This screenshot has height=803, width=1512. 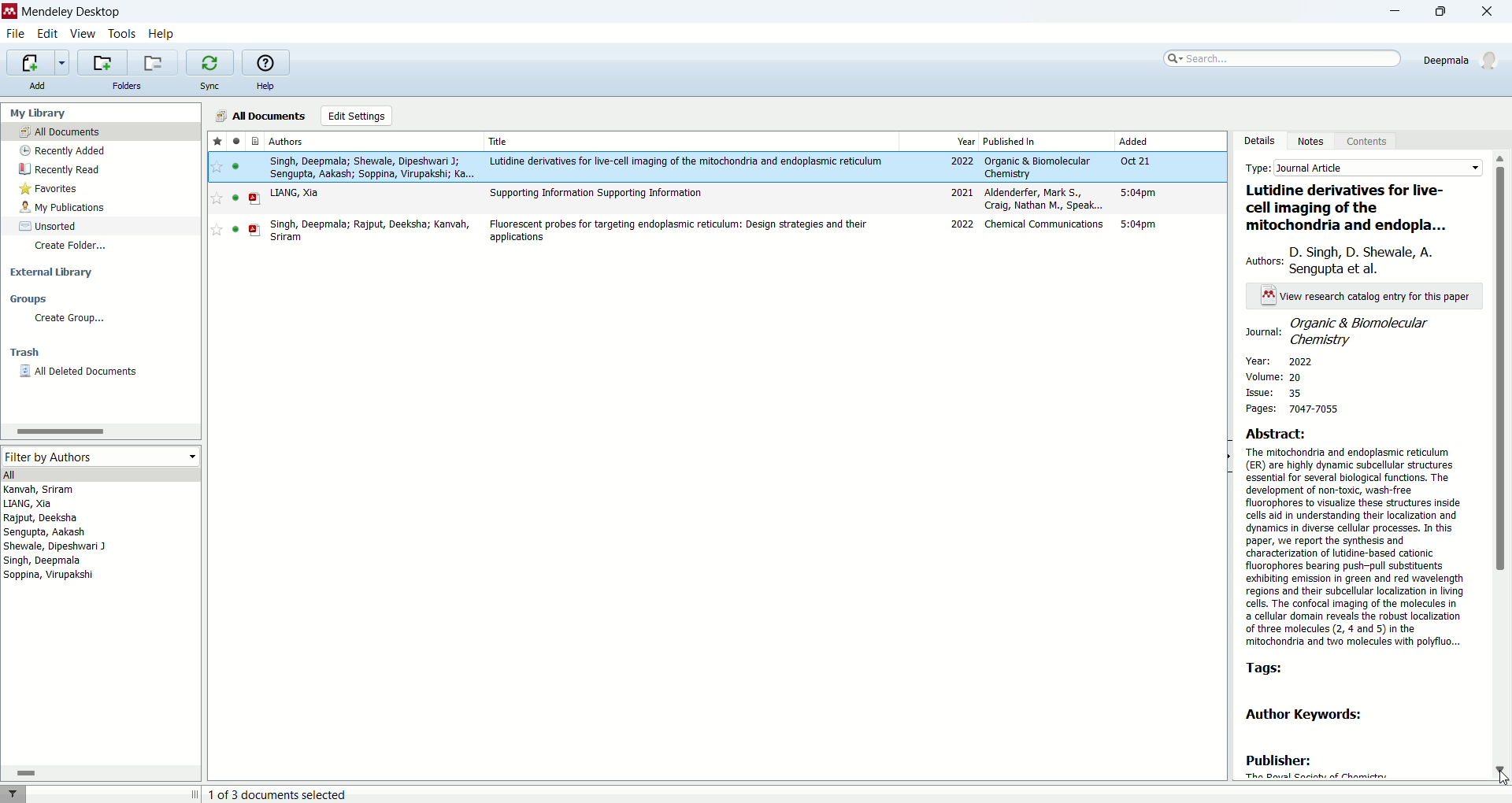 I want to click on singh, deepmala; rajput, deeksha; kanvah, sriram, so click(x=371, y=231).